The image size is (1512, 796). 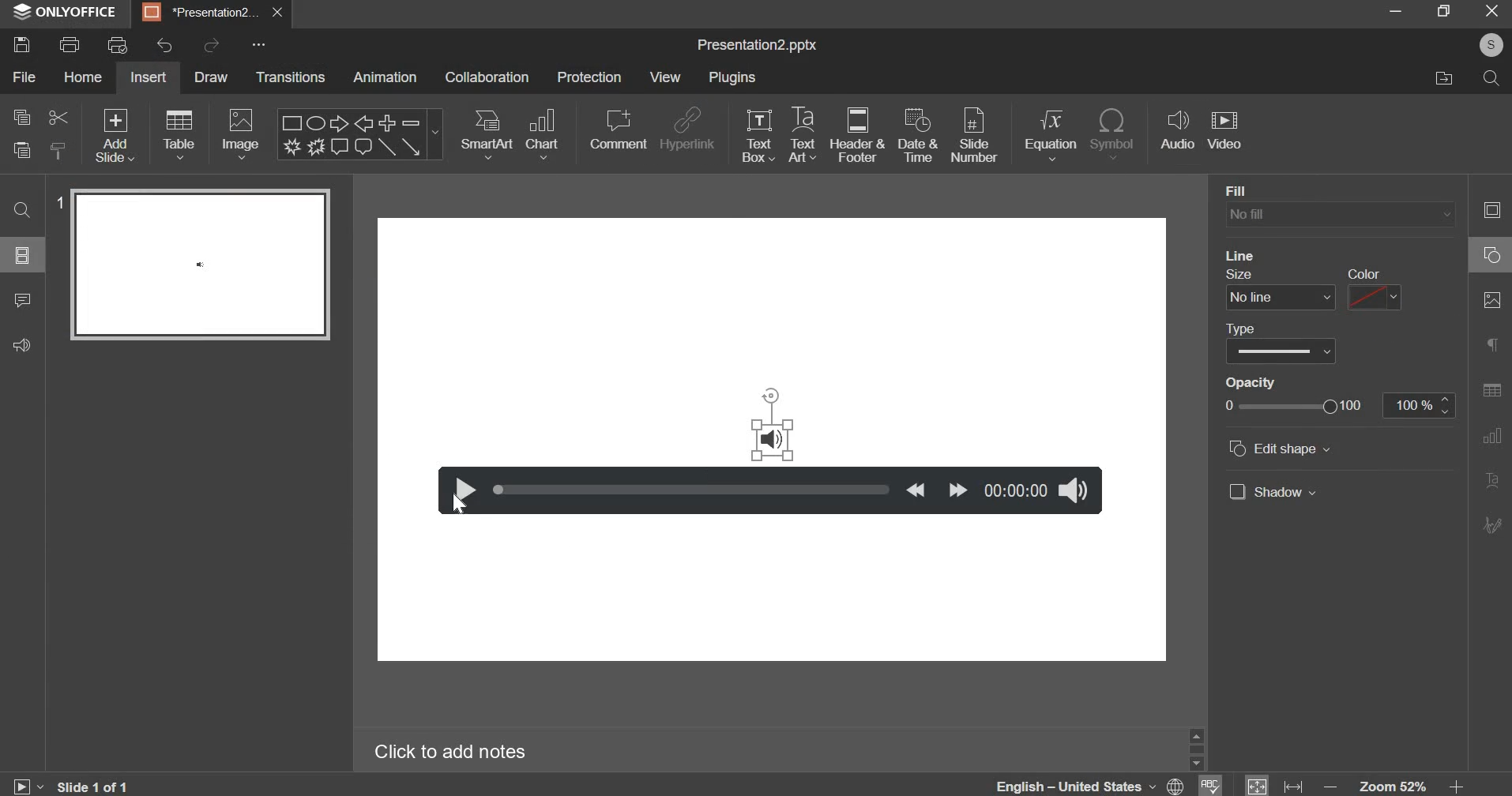 What do you see at coordinates (1196, 764) in the screenshot?
I see `scroll down` at bounding box center [1196, 764].